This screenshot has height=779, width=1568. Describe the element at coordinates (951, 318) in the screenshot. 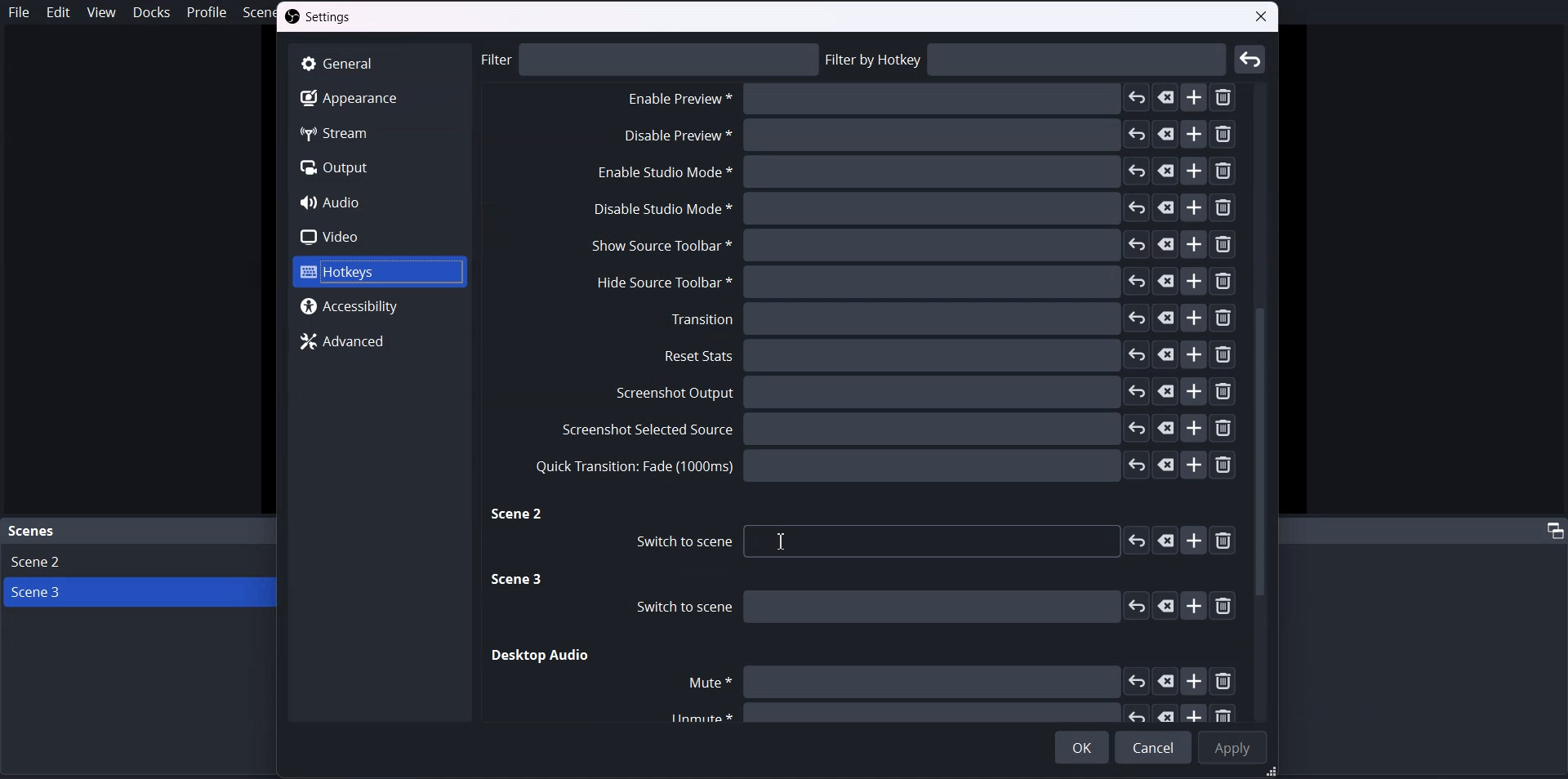

I see `Transition` at that location.